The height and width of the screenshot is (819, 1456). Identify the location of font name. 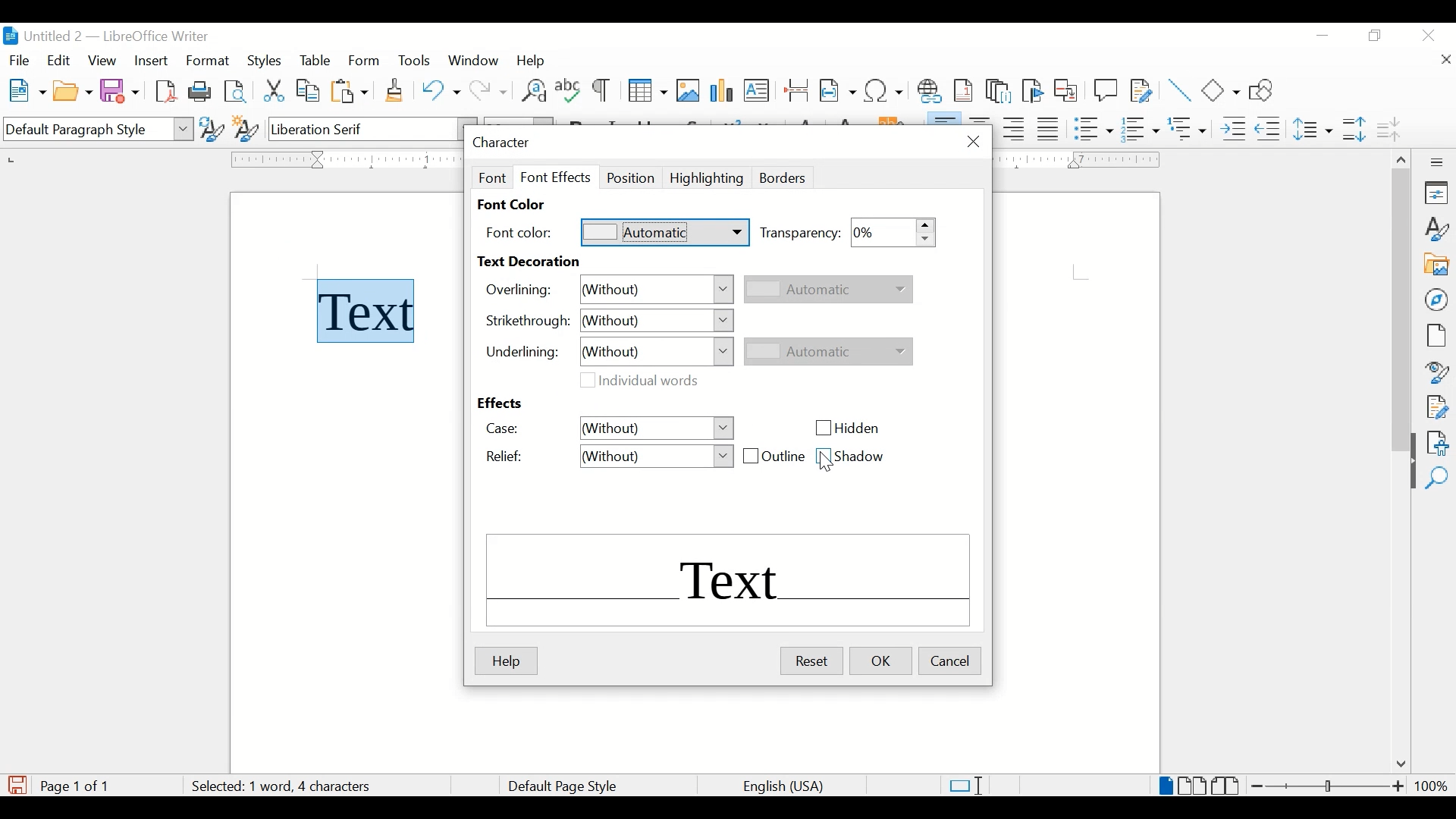
(374, 128).